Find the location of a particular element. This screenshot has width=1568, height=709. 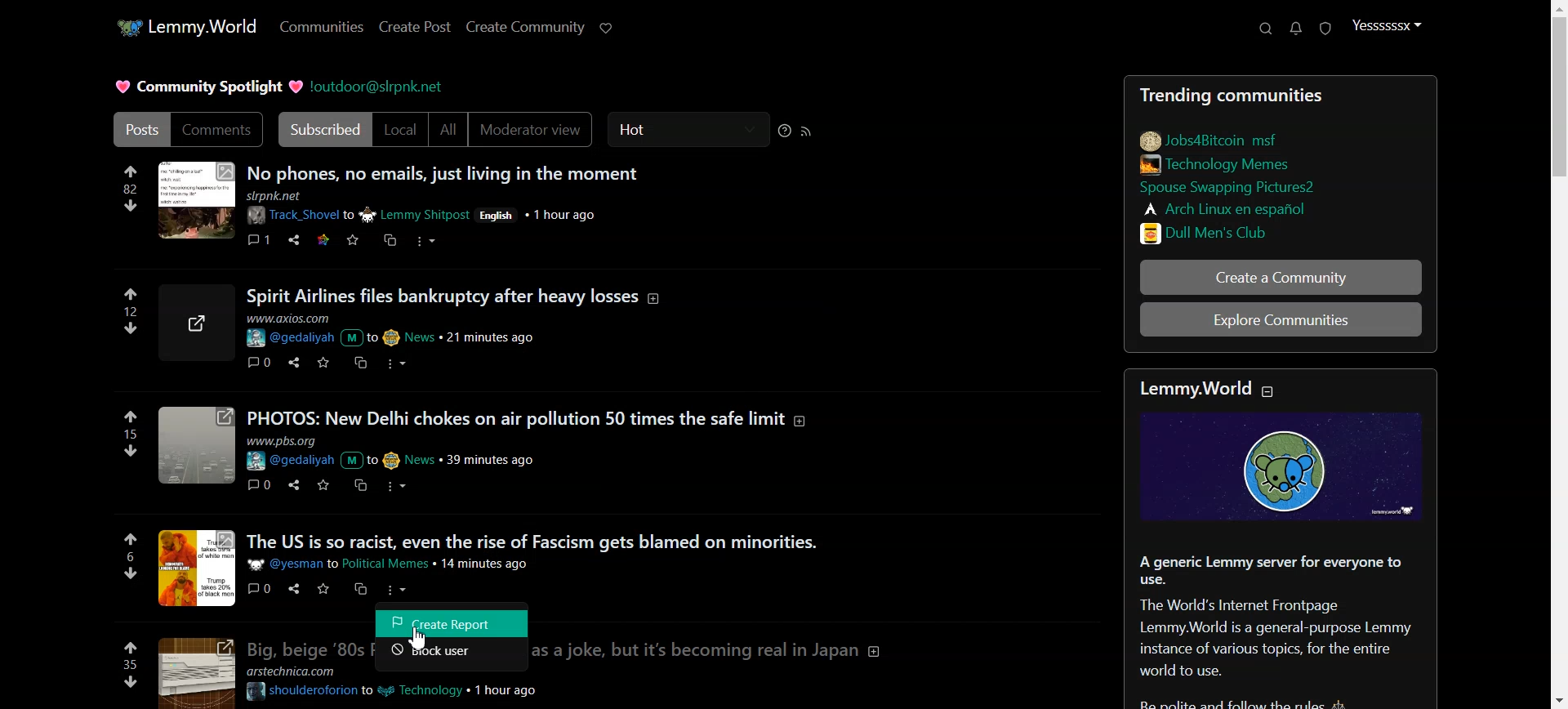

Unread Message is located at coordinates (1296, 29).